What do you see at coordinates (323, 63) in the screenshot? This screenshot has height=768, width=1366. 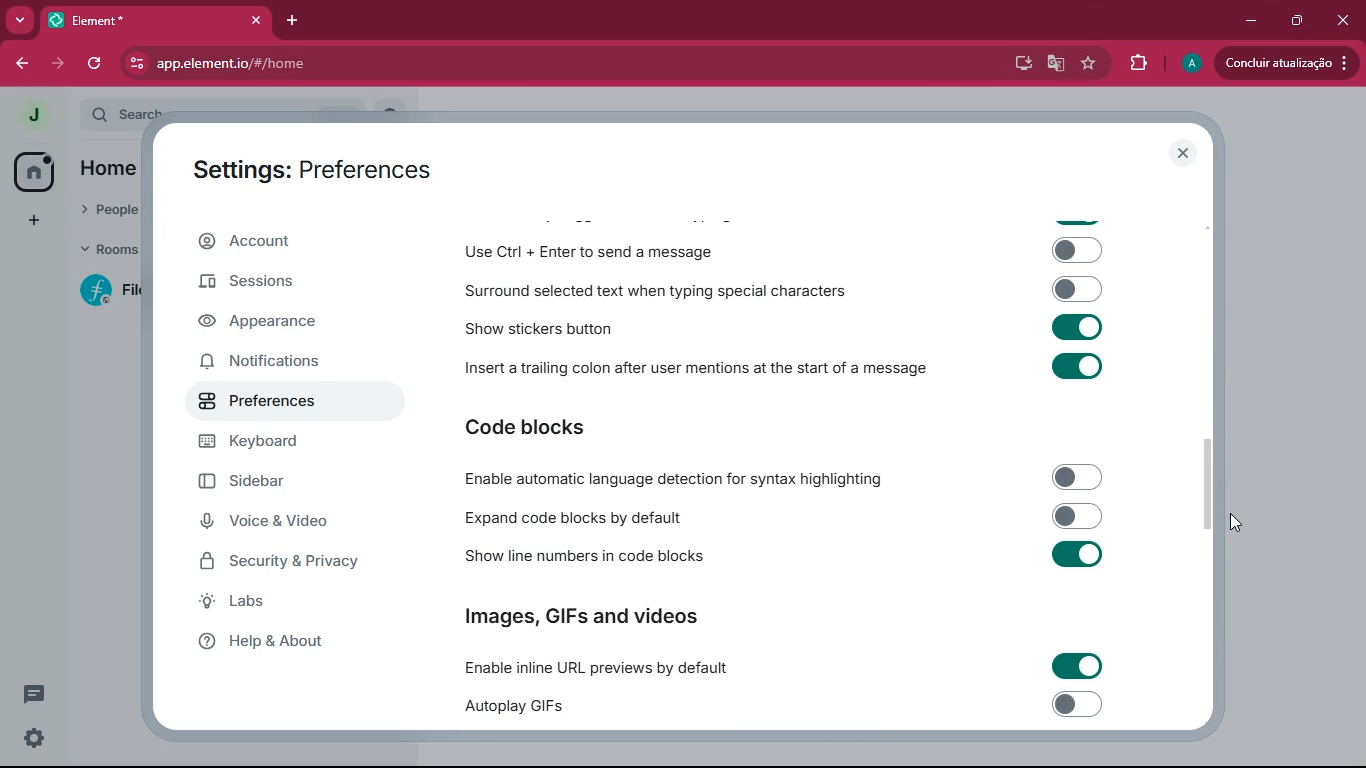 I see `app.element.io/#/home` at bounding box center [323, 63].